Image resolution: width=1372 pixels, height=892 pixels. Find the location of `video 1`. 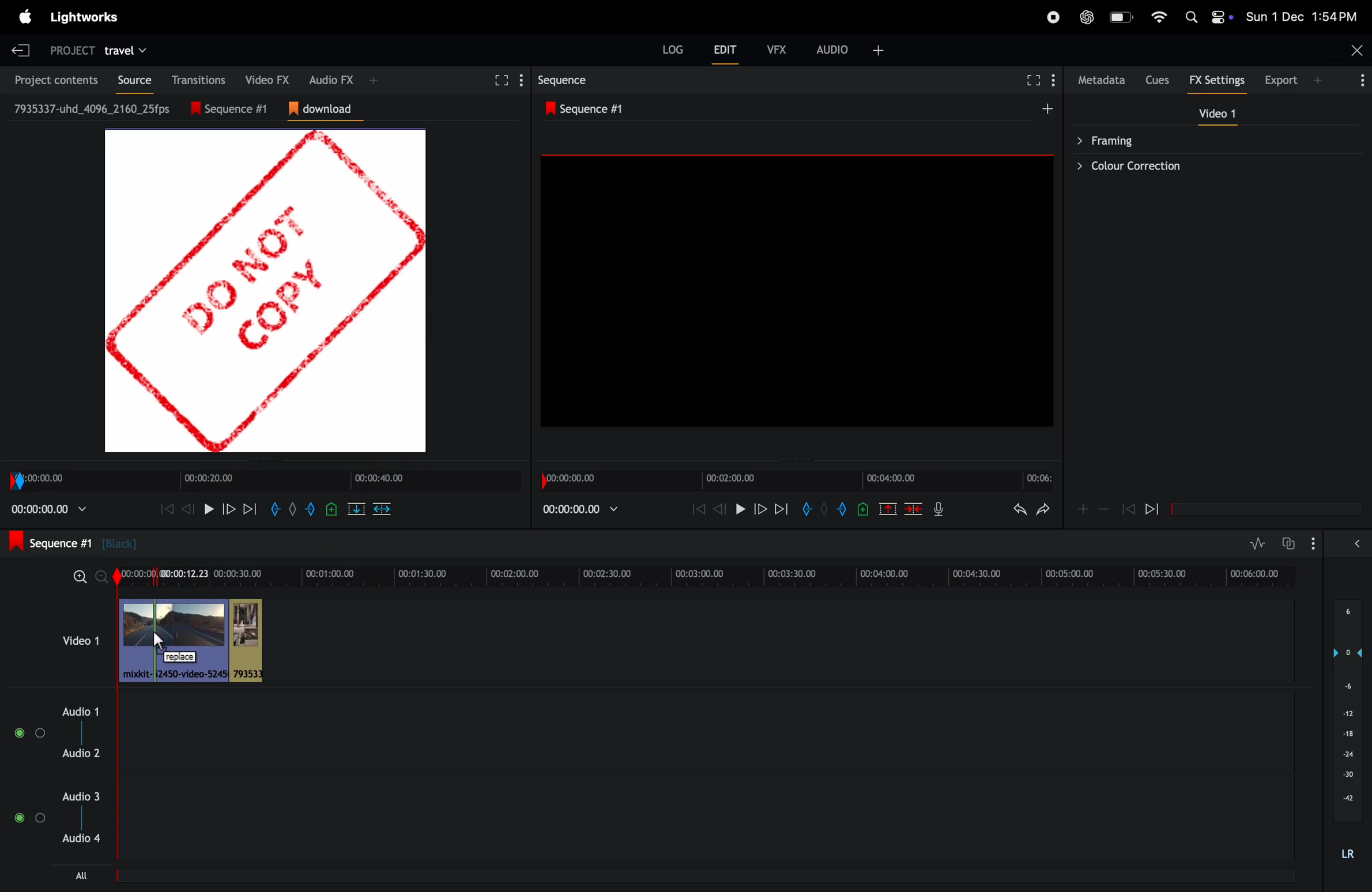

video 1 is located at coordinates (81, 640).